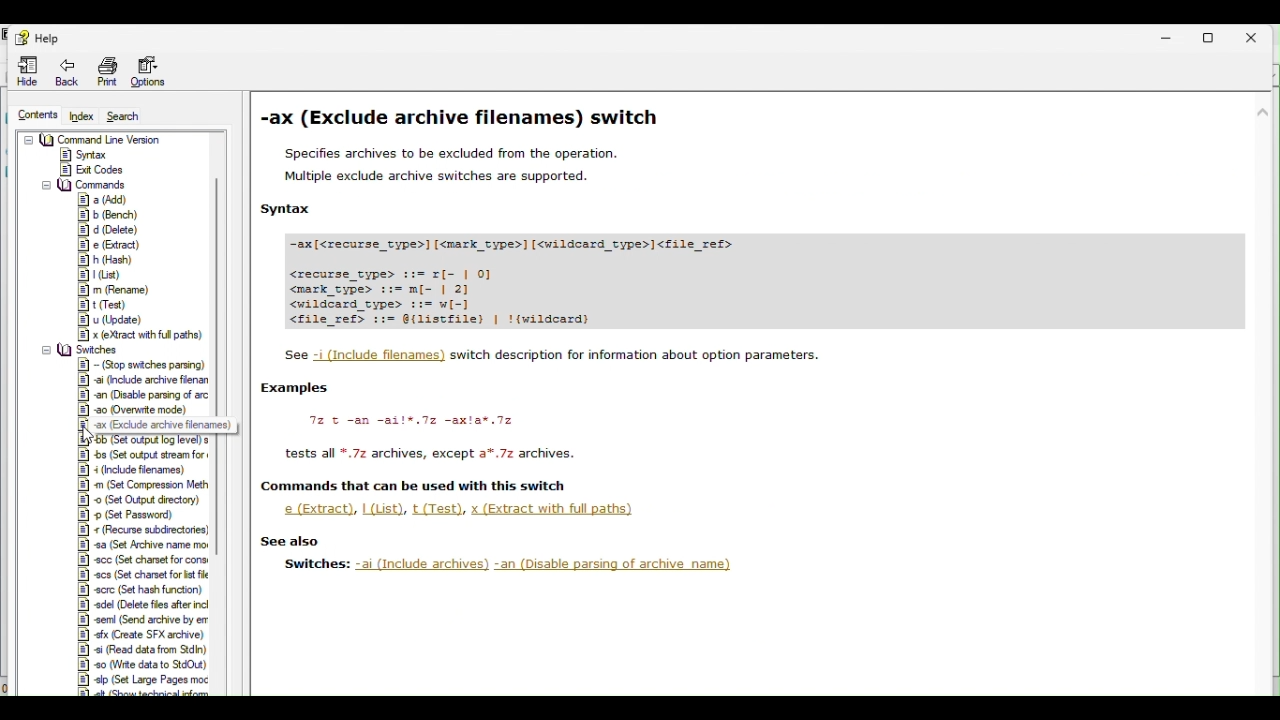 This screenshot has height=720, width=1280. Describe the element at coordinates (93, 436) in the screenshot. I see `Cursor` at that location.